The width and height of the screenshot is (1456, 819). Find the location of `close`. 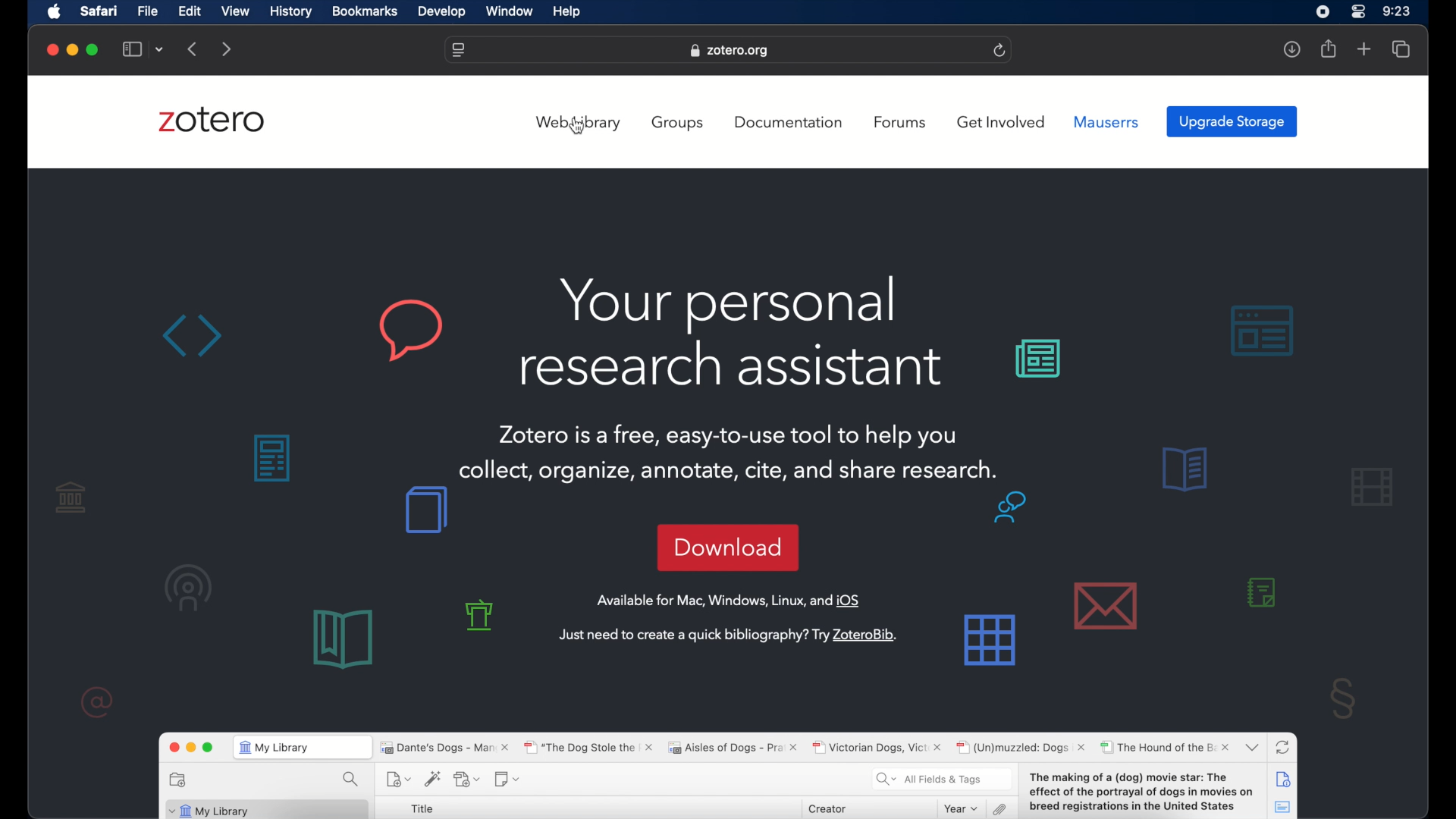

close is located at coordinates (53, 50).